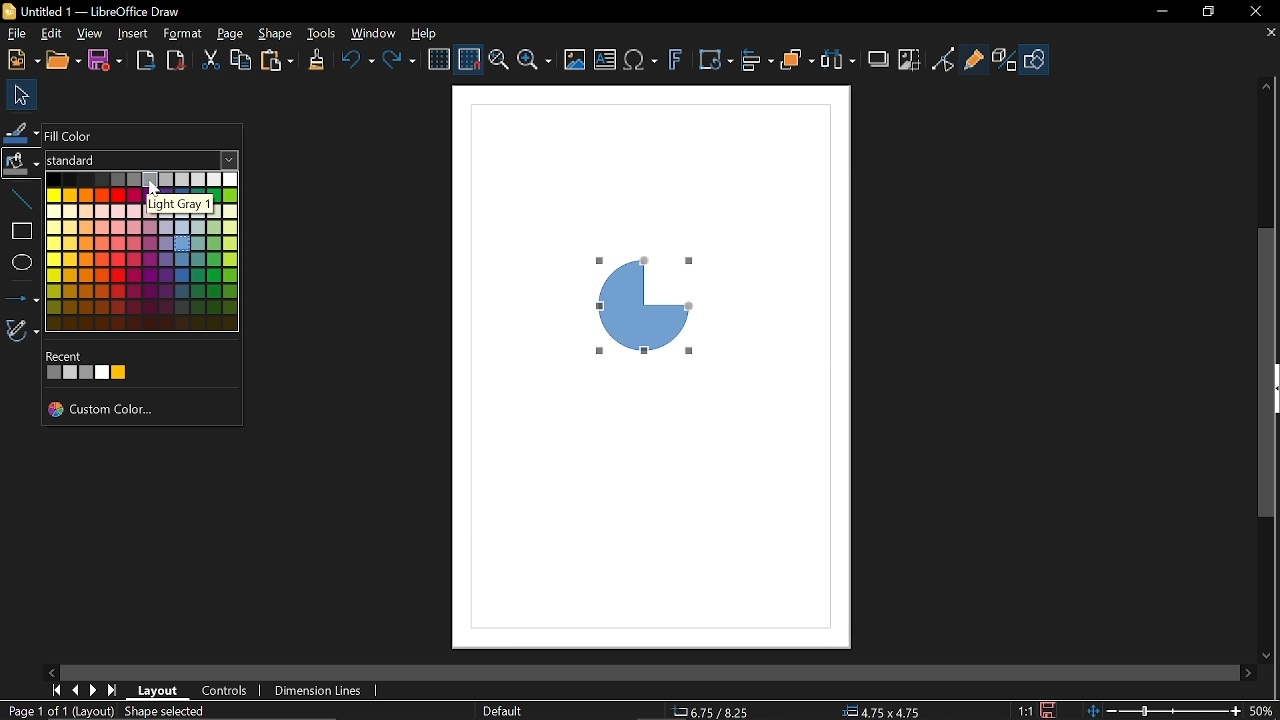  Describe the element at coordinates (115, 689) in the screenshot. I see `Last page` at that location.